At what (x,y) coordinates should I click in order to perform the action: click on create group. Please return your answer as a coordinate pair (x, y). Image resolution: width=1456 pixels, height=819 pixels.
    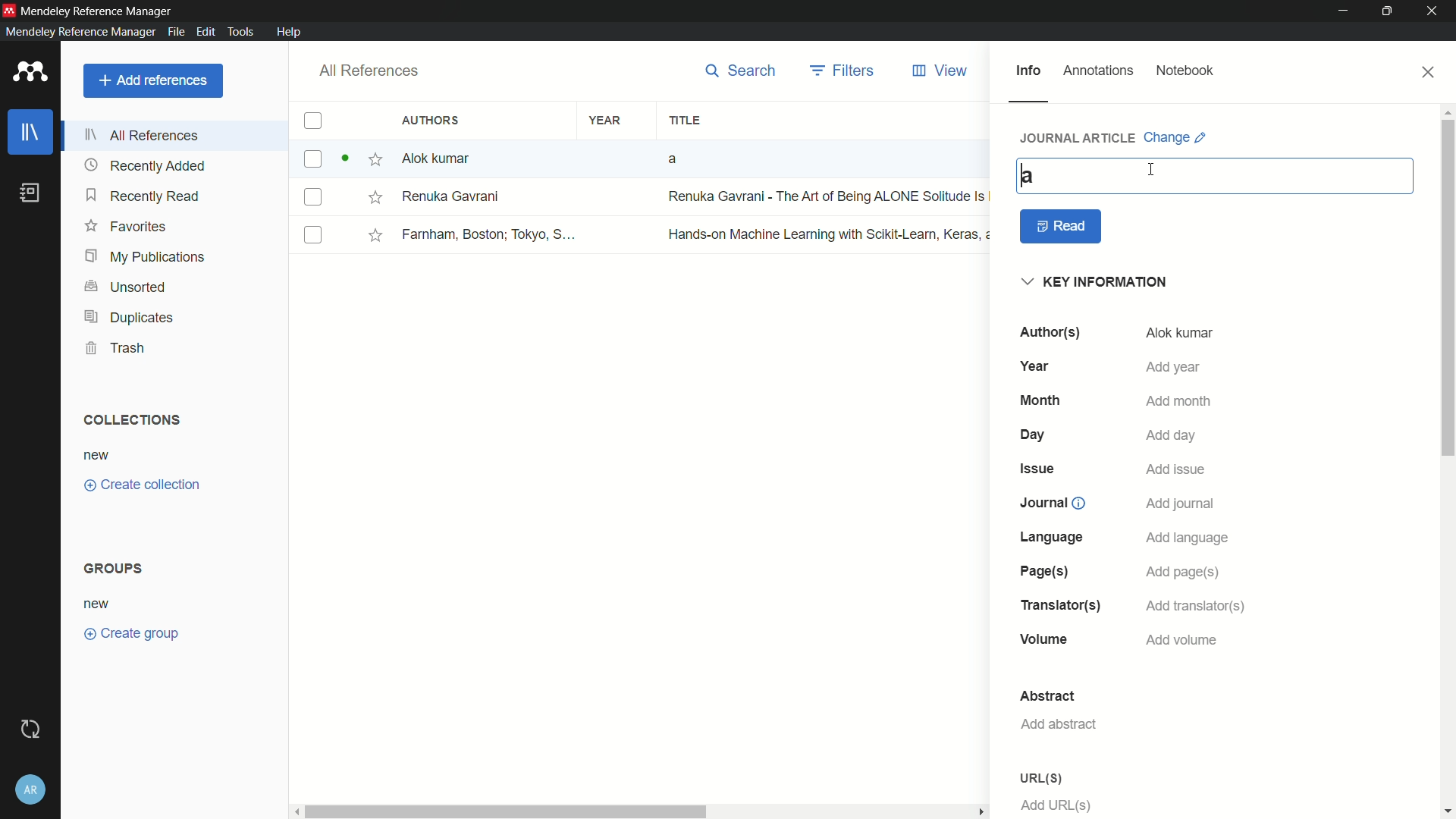
    Looking at the image, I should click on (130, 632).